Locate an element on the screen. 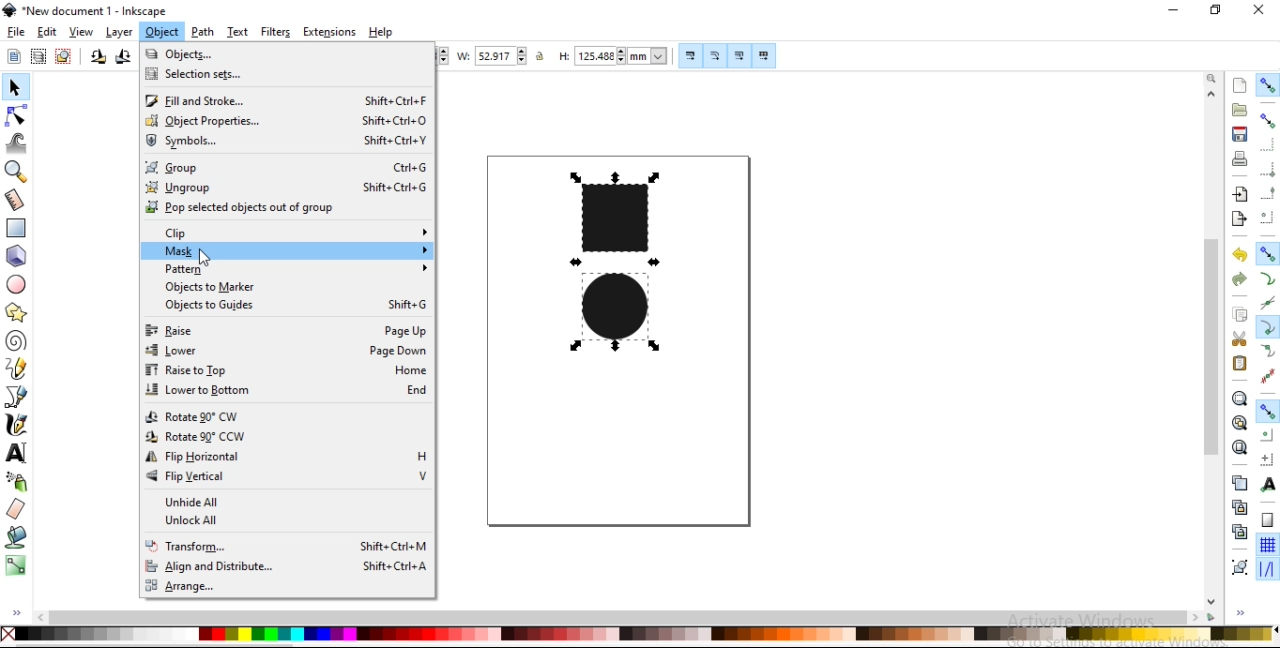  view is located at coordinates (80, 32).